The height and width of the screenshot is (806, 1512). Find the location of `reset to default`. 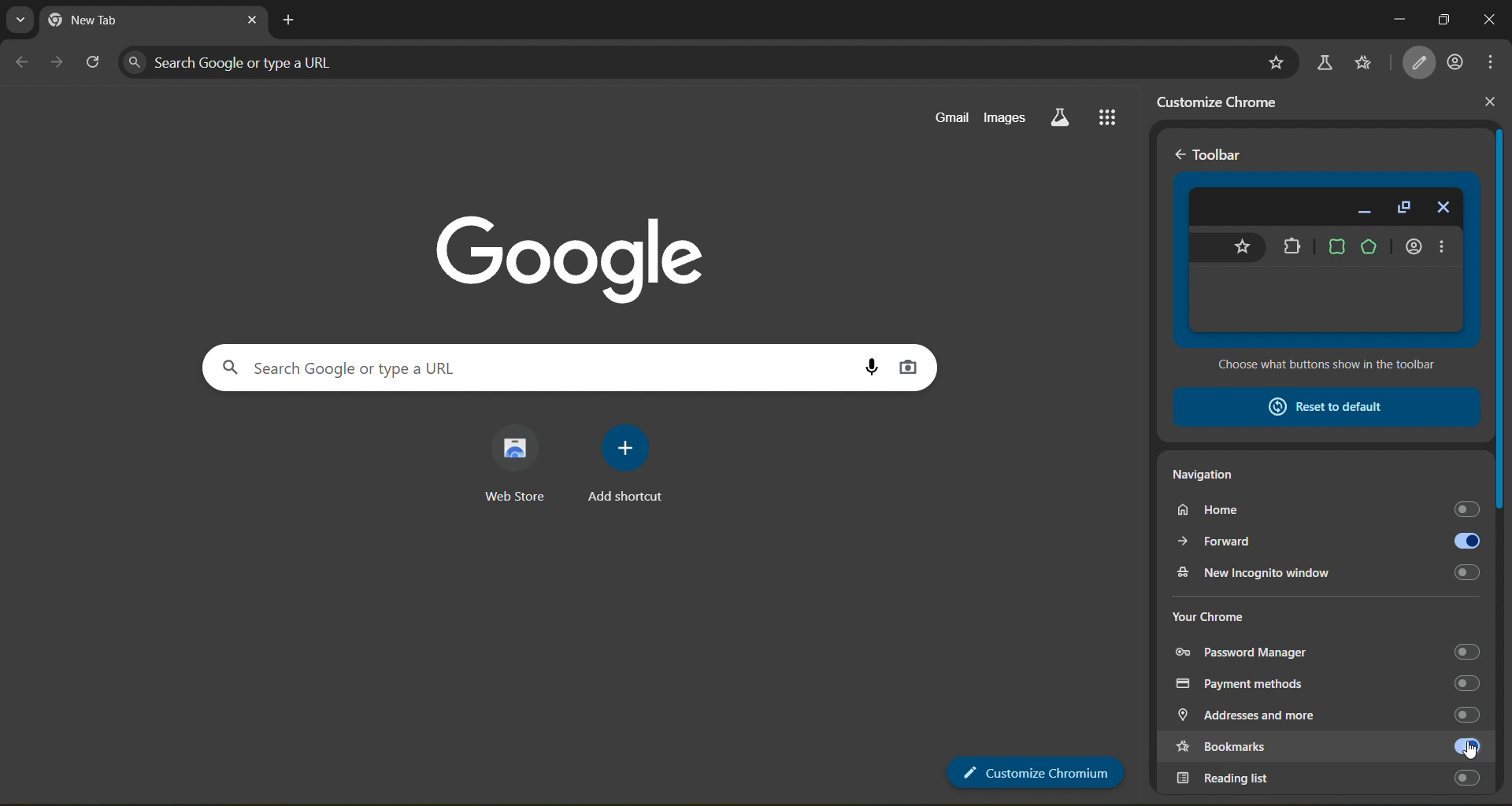

reset to default is located at coordinates (1324, 406).